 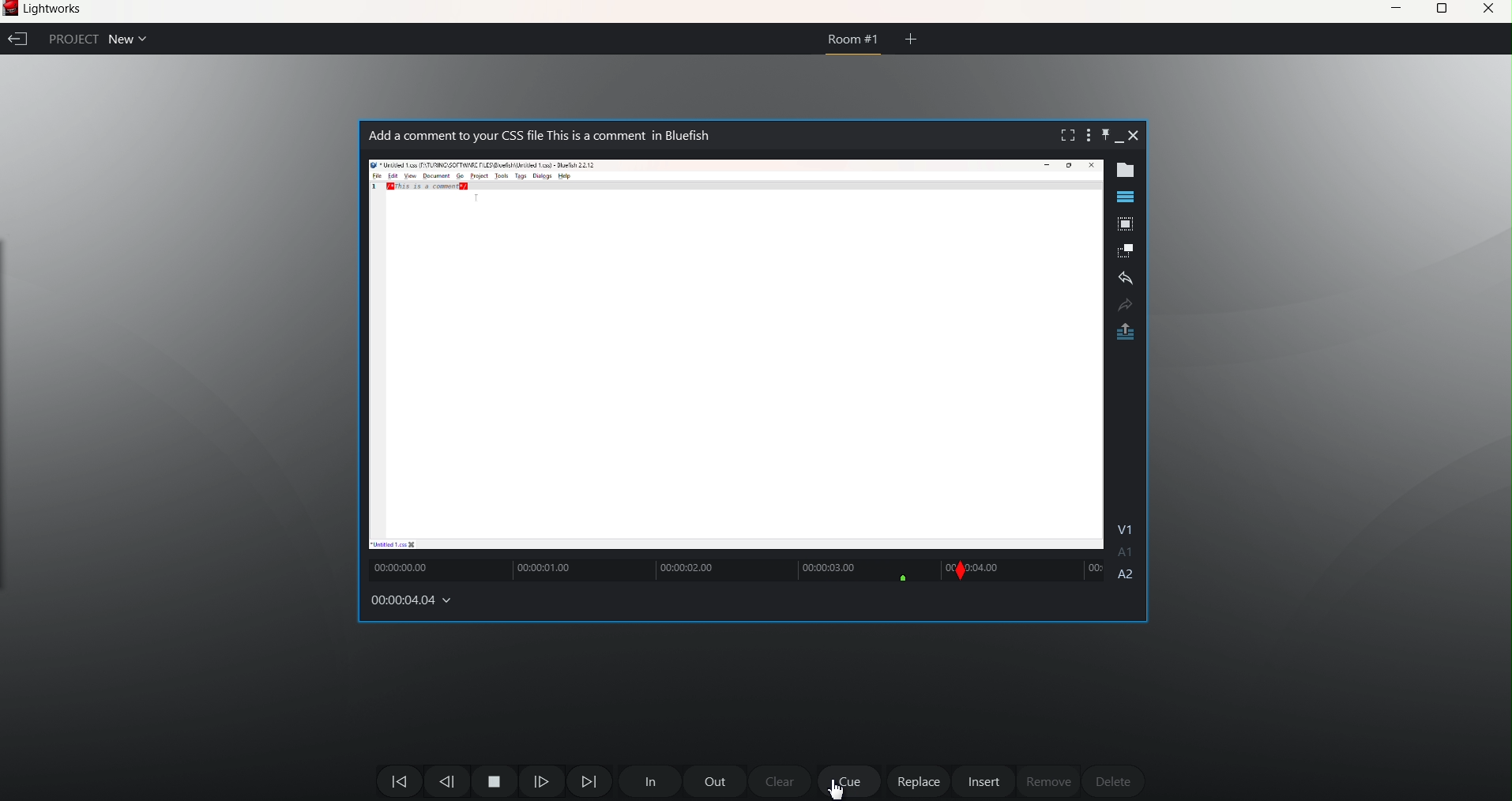 What do you see at coordinates (1126, 333) in the screenshot?
I see `pop out original` at bounding box center [1126, 333].